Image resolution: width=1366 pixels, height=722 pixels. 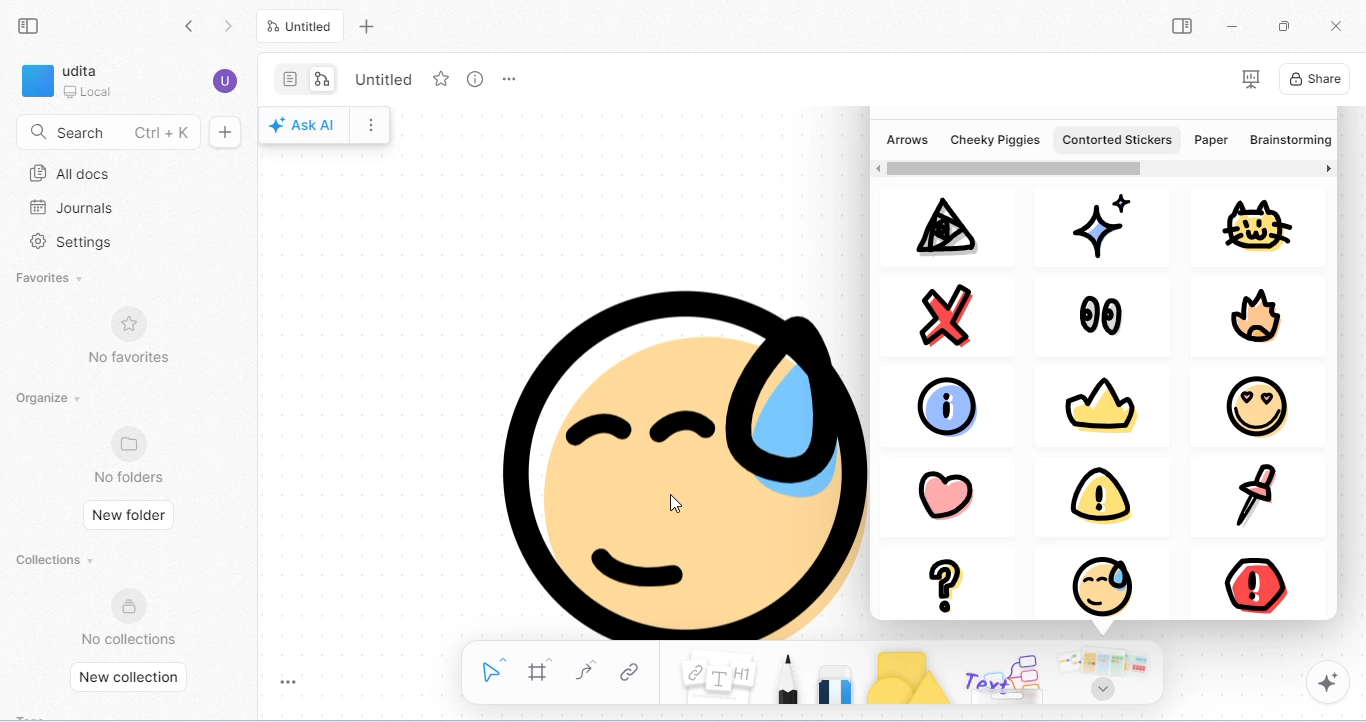 What do you see at coordinates (509, 79) in the screenshot?
I see `rename and more` at bounding box center [509, 79].